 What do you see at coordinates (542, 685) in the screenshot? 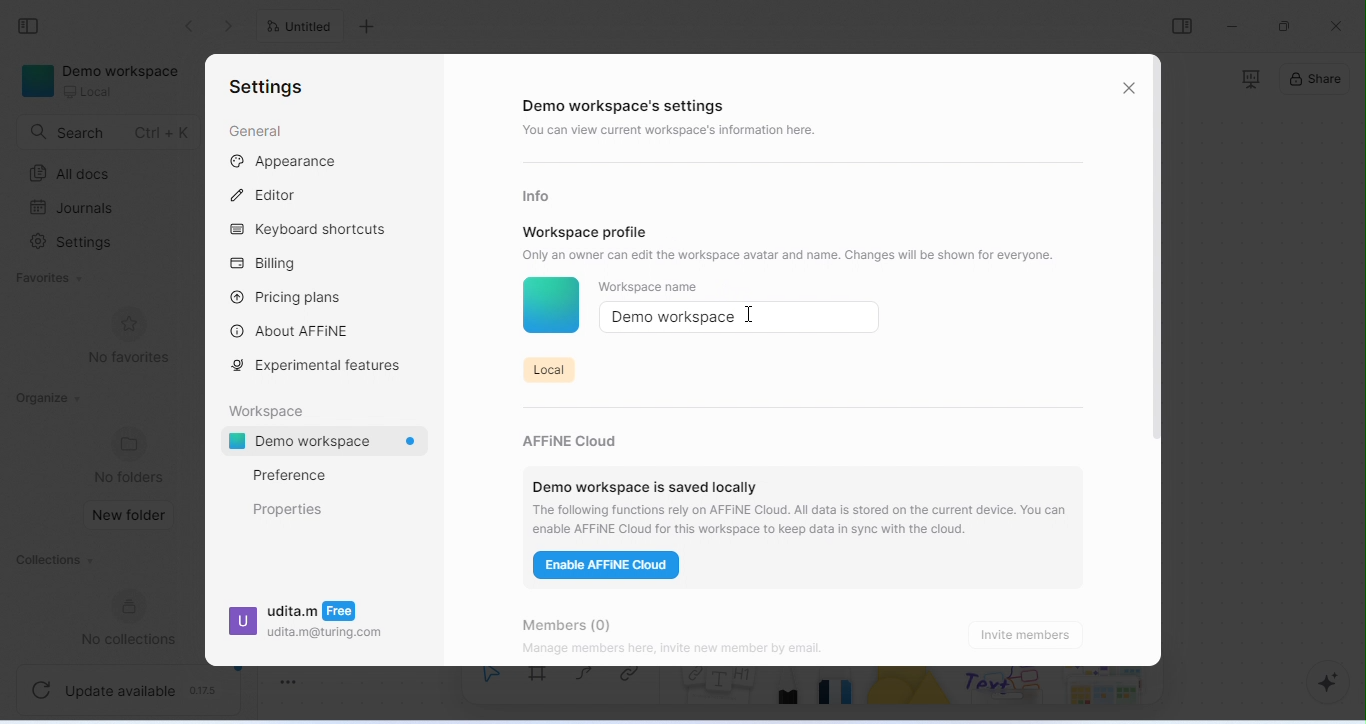
I see `frame` at bounding box center [542, 685].